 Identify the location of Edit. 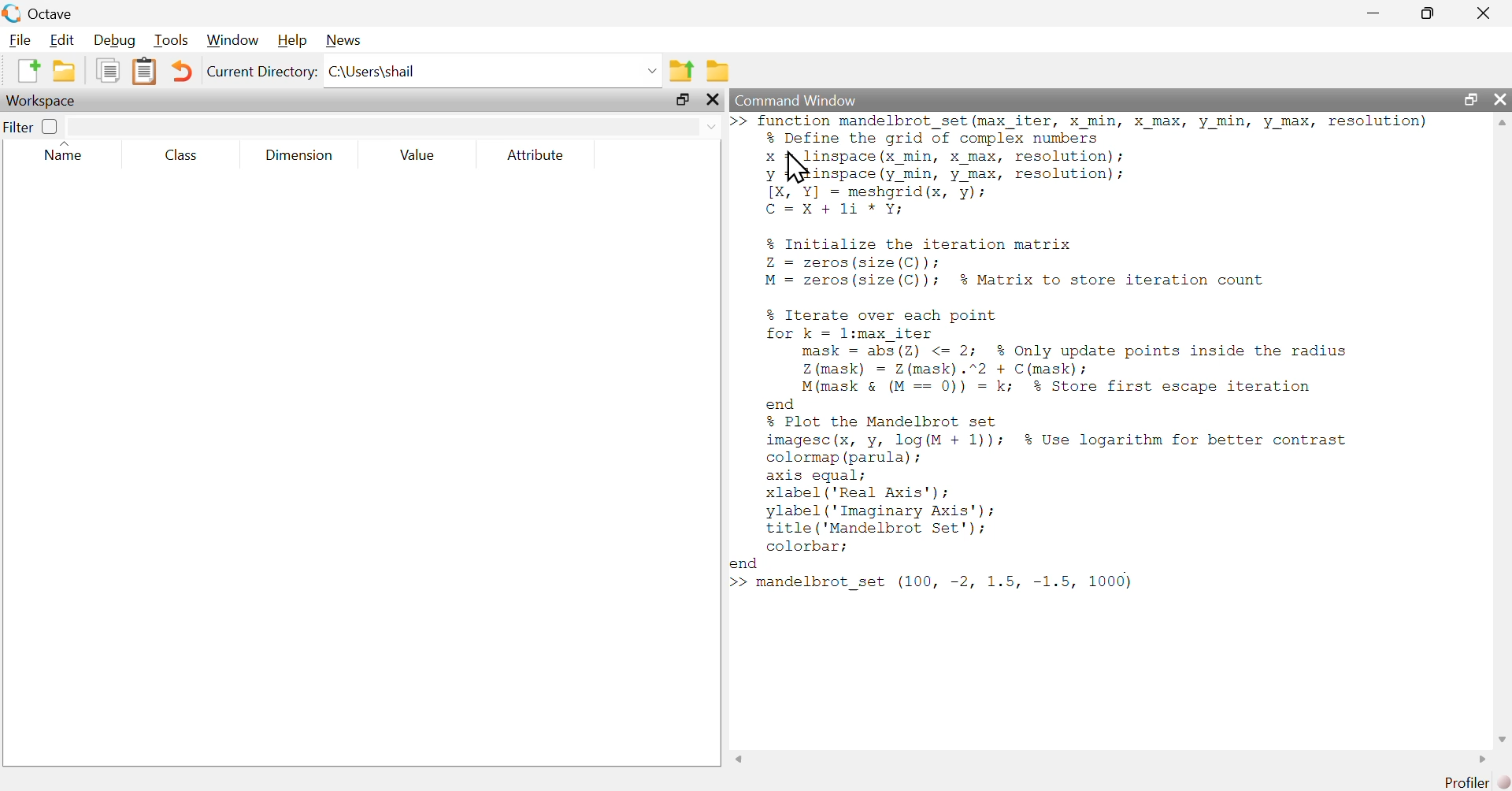
(61, 39).